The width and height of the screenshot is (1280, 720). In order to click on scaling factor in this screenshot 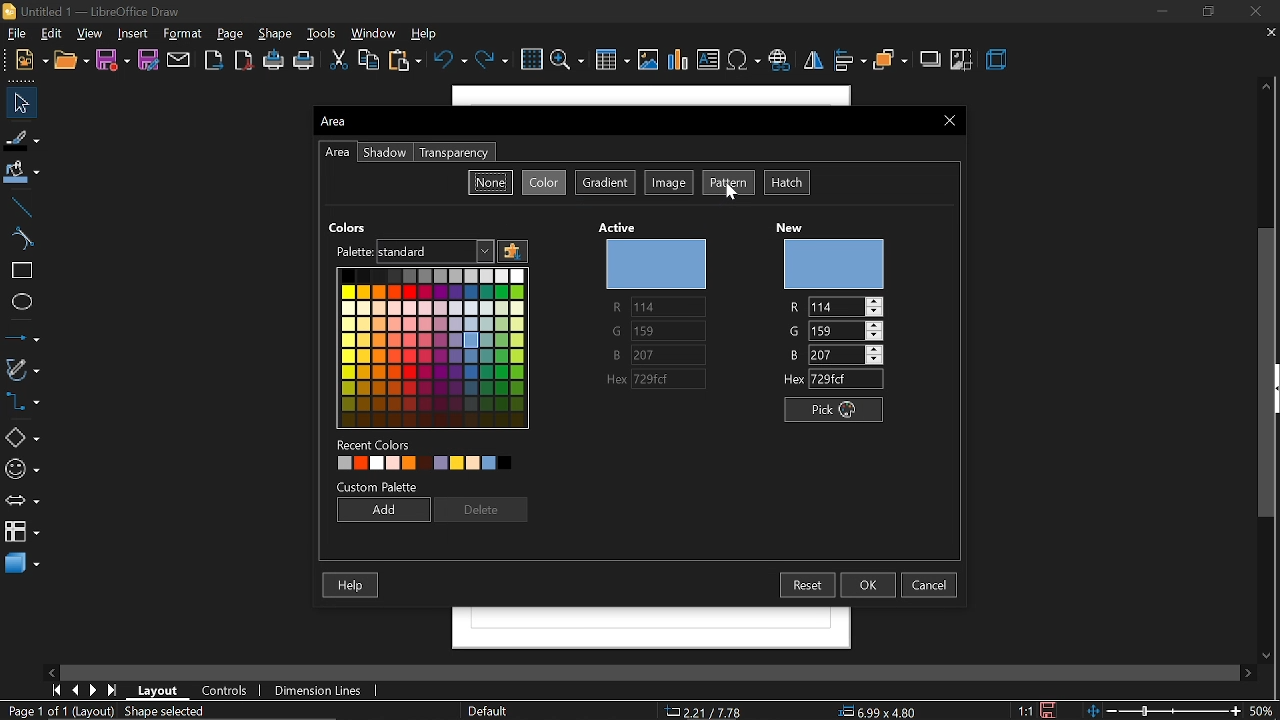, I will do `click(1024, 706)`.